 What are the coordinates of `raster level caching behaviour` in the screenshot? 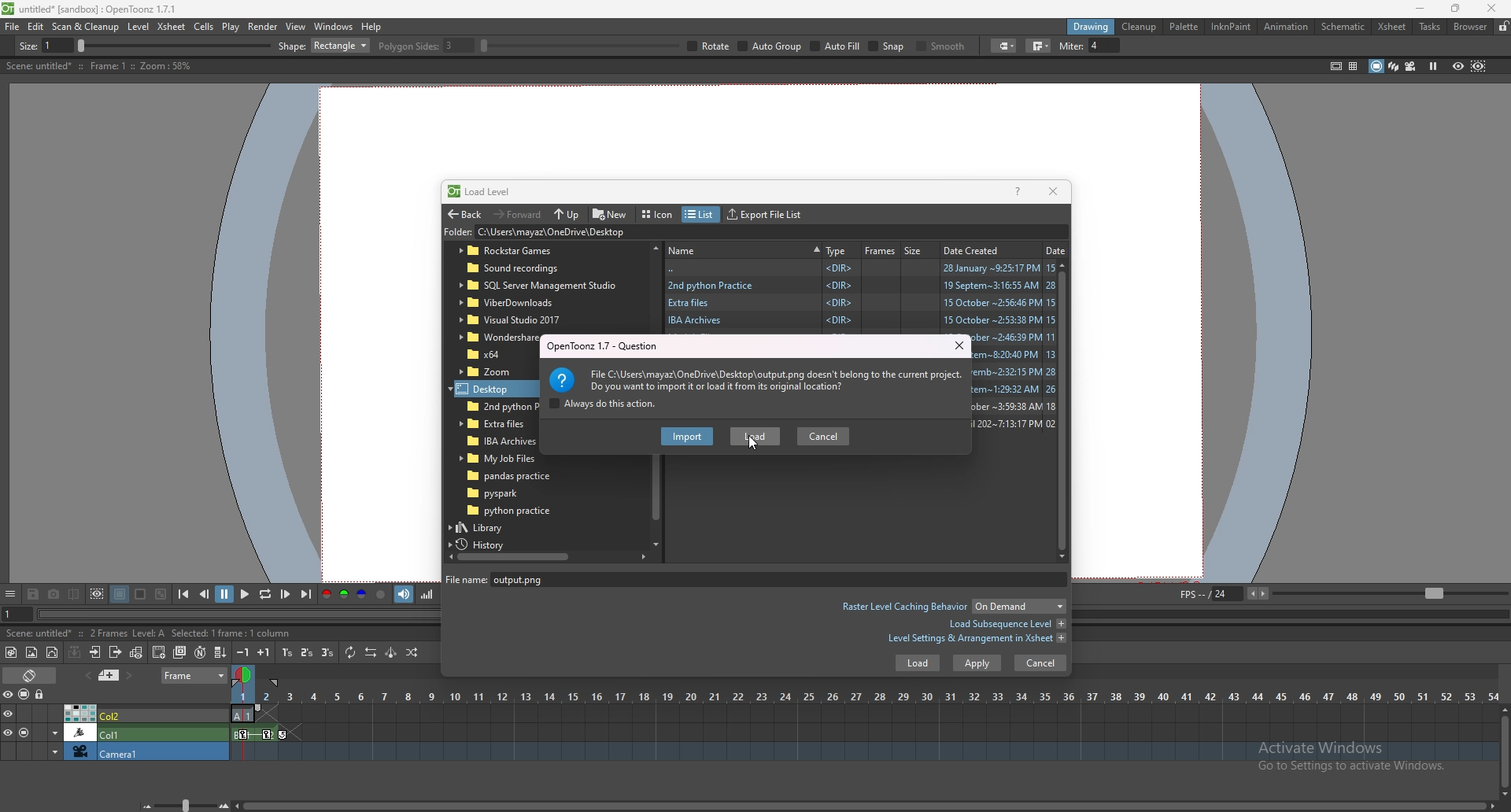 It's located at (952, 608).